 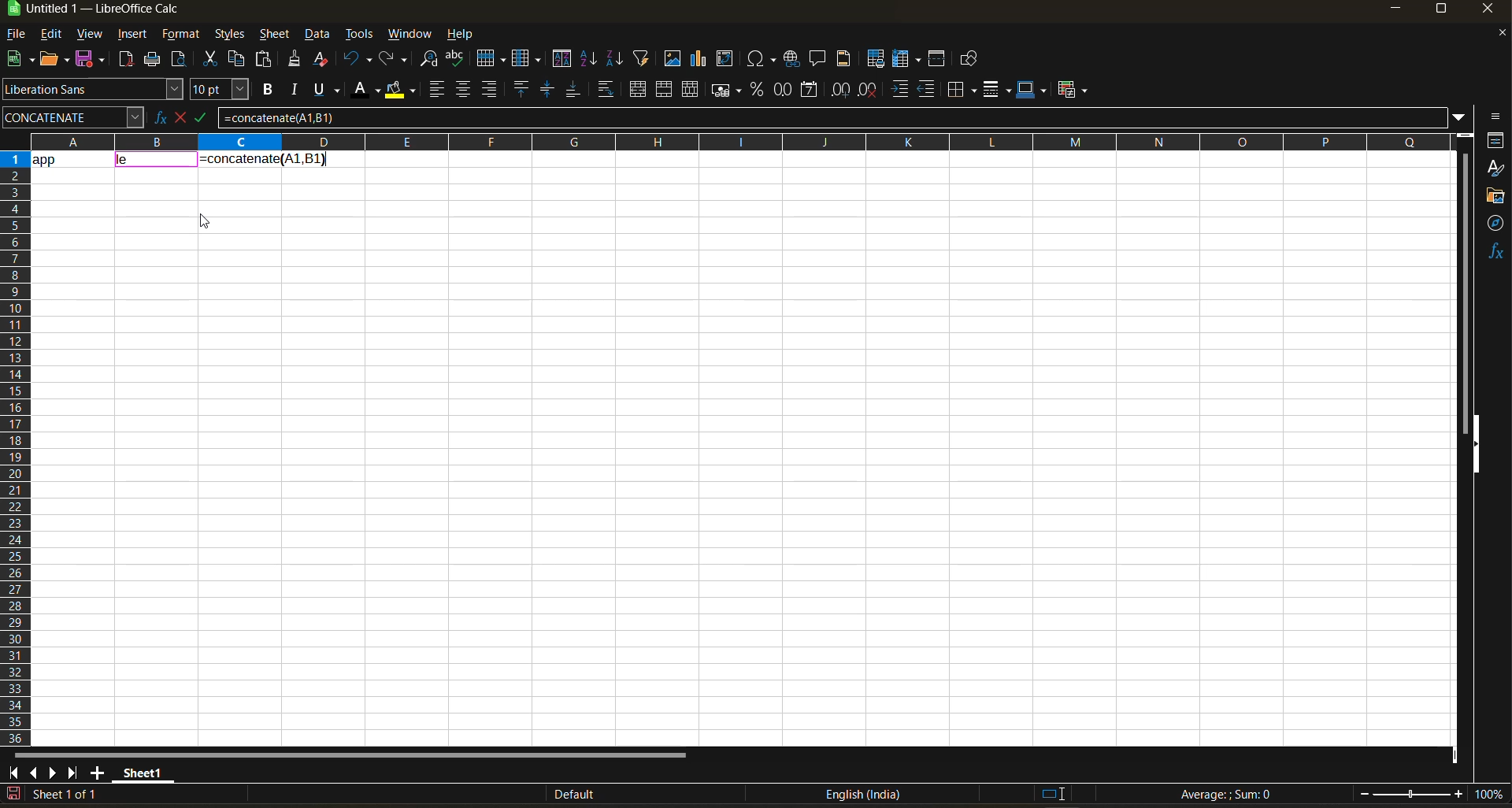 I want to click on autofilter, so click(x=642, y=57).